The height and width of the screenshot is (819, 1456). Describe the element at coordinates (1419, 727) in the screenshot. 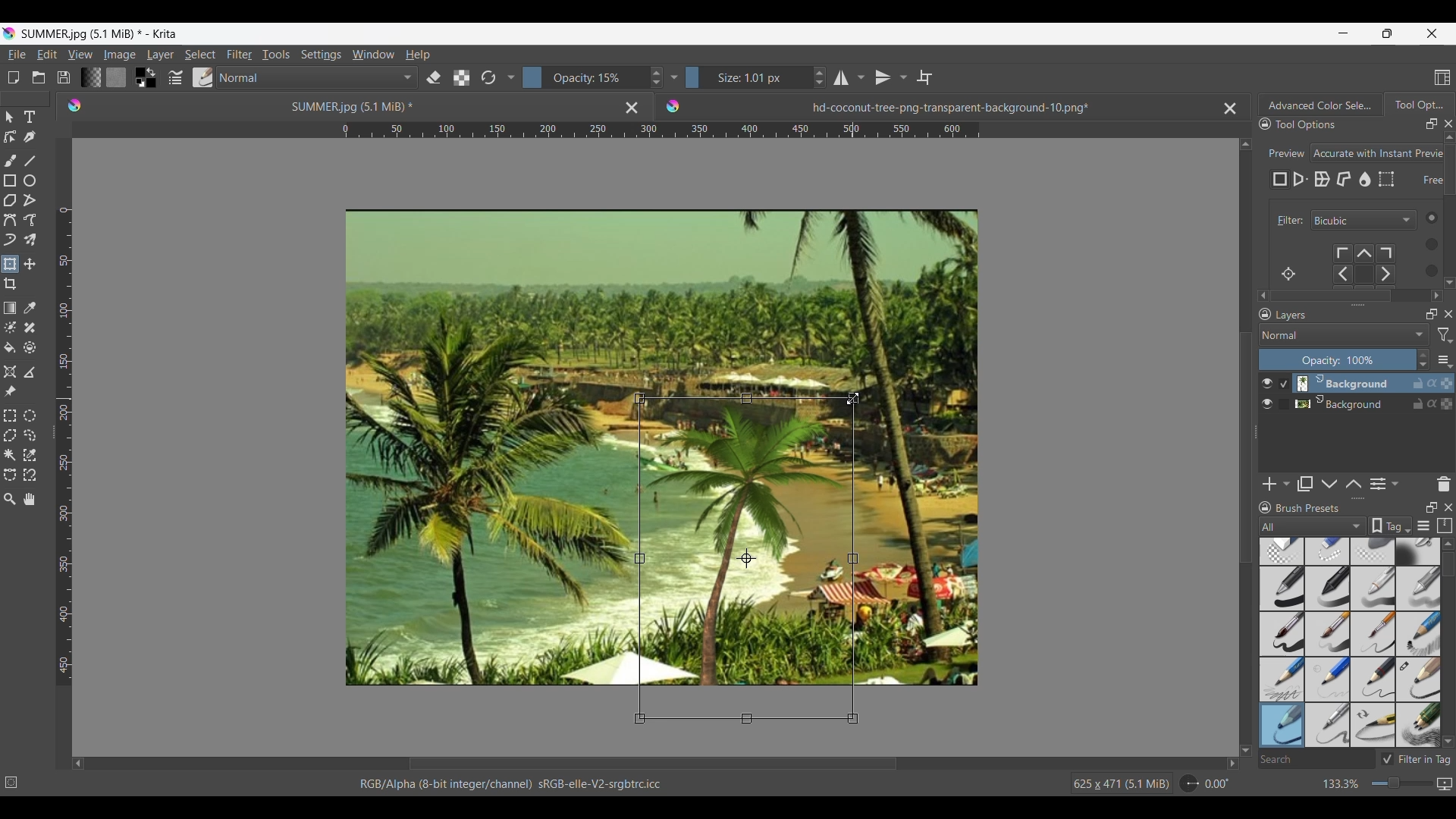

I see `ink pen` at that location.